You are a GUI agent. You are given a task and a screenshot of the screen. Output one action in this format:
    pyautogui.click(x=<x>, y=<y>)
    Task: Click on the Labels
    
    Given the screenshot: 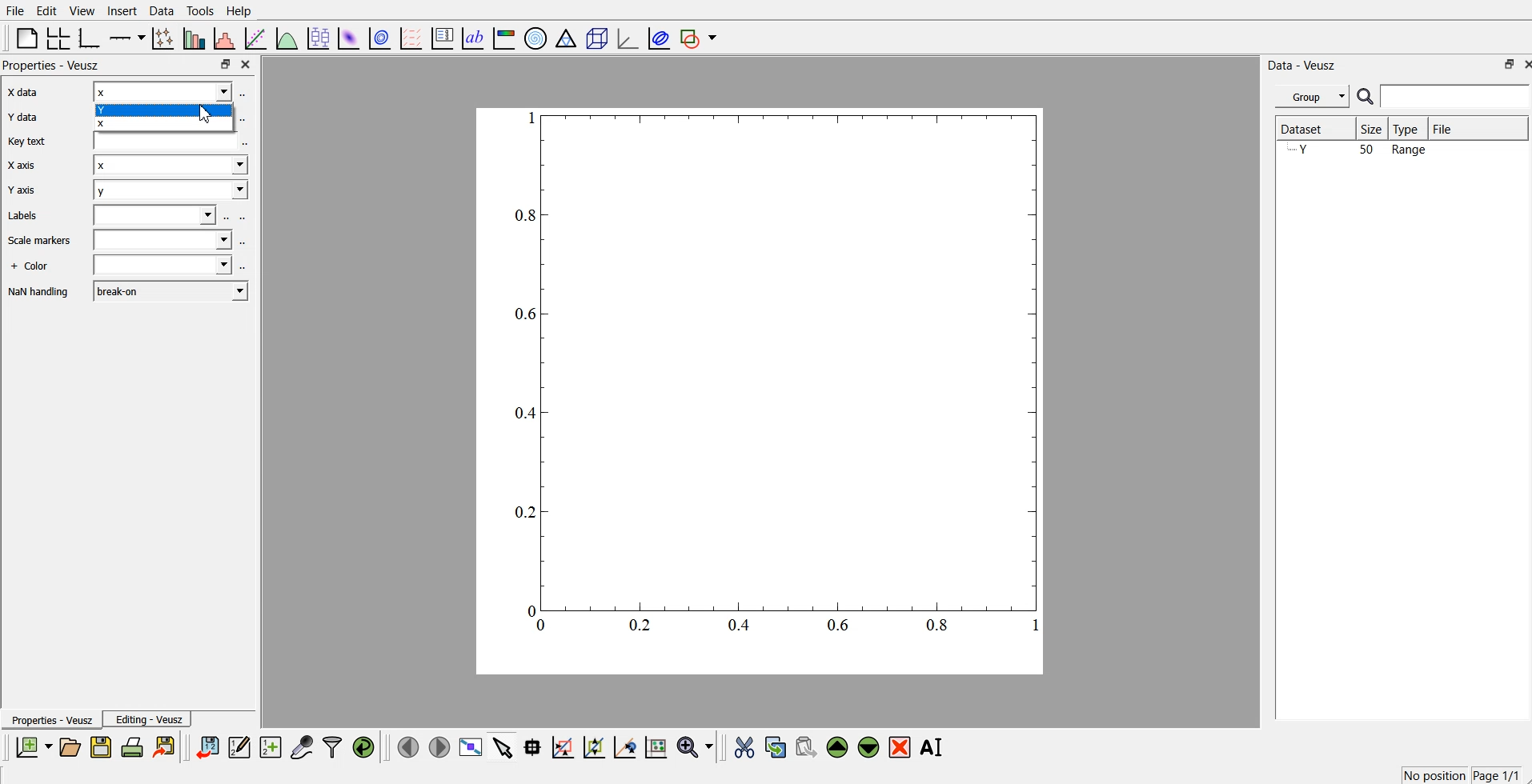 What is the action you would take?
    pyautogui.click(x=38, y=215)
    